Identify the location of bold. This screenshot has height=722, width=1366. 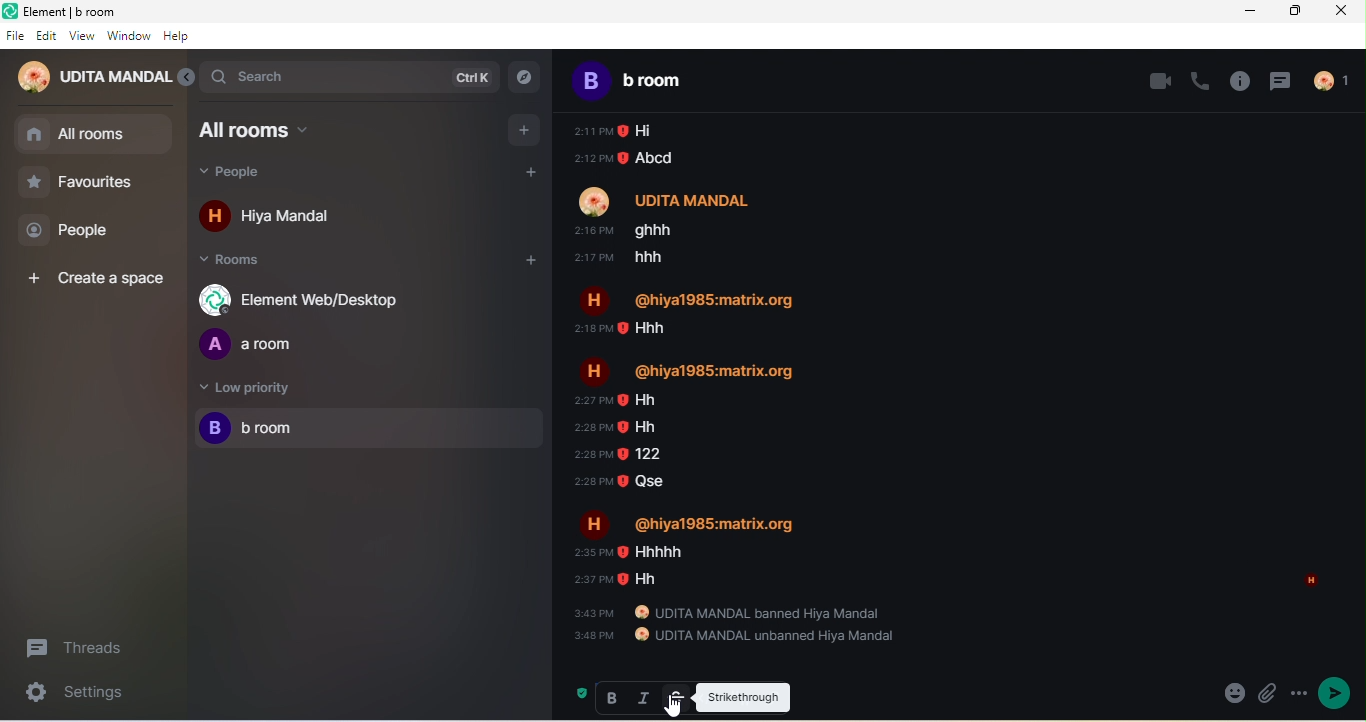
(609, 698).